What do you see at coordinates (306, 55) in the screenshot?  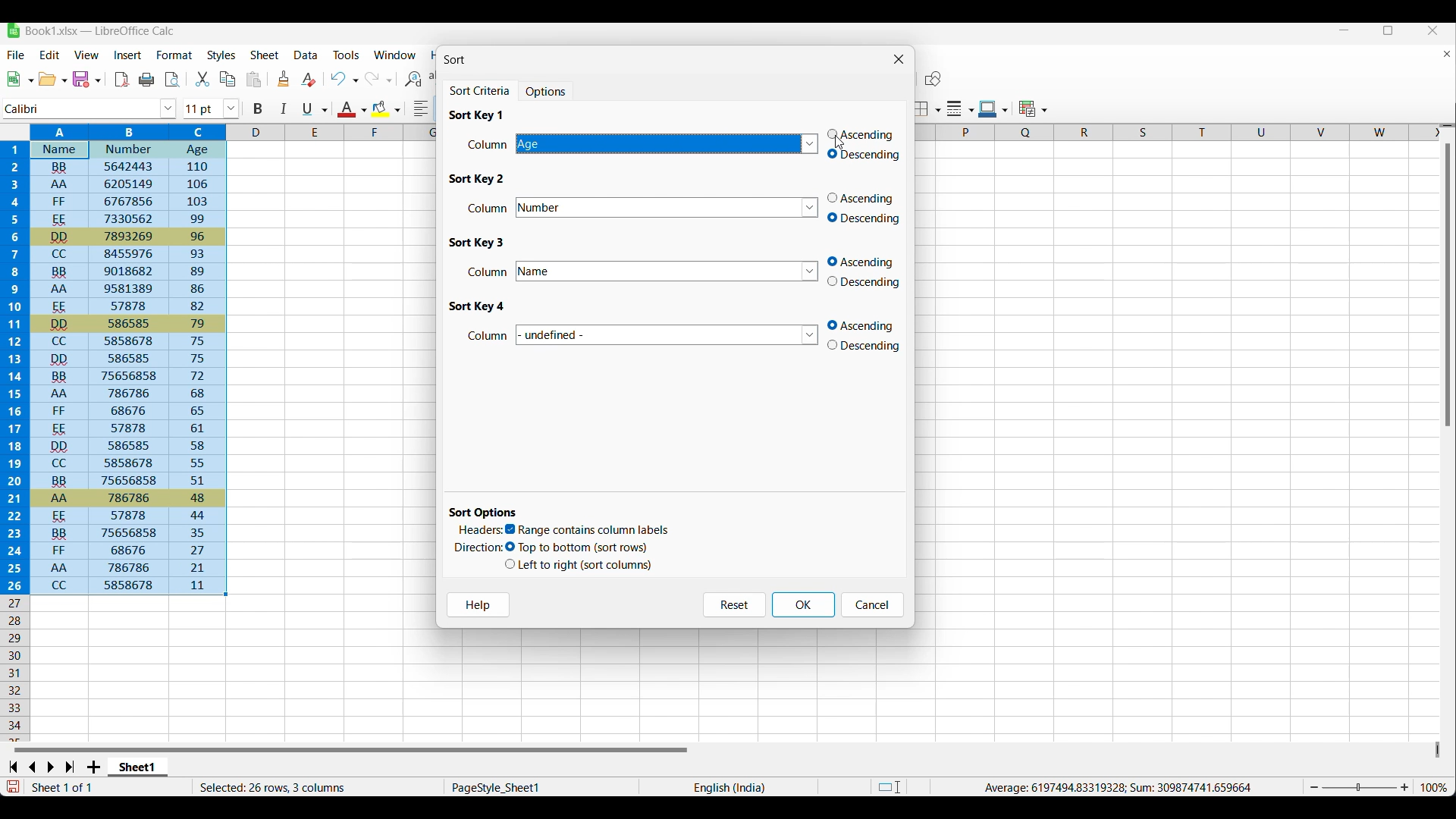 I see `Data menu` at bounding box center [306, 55].